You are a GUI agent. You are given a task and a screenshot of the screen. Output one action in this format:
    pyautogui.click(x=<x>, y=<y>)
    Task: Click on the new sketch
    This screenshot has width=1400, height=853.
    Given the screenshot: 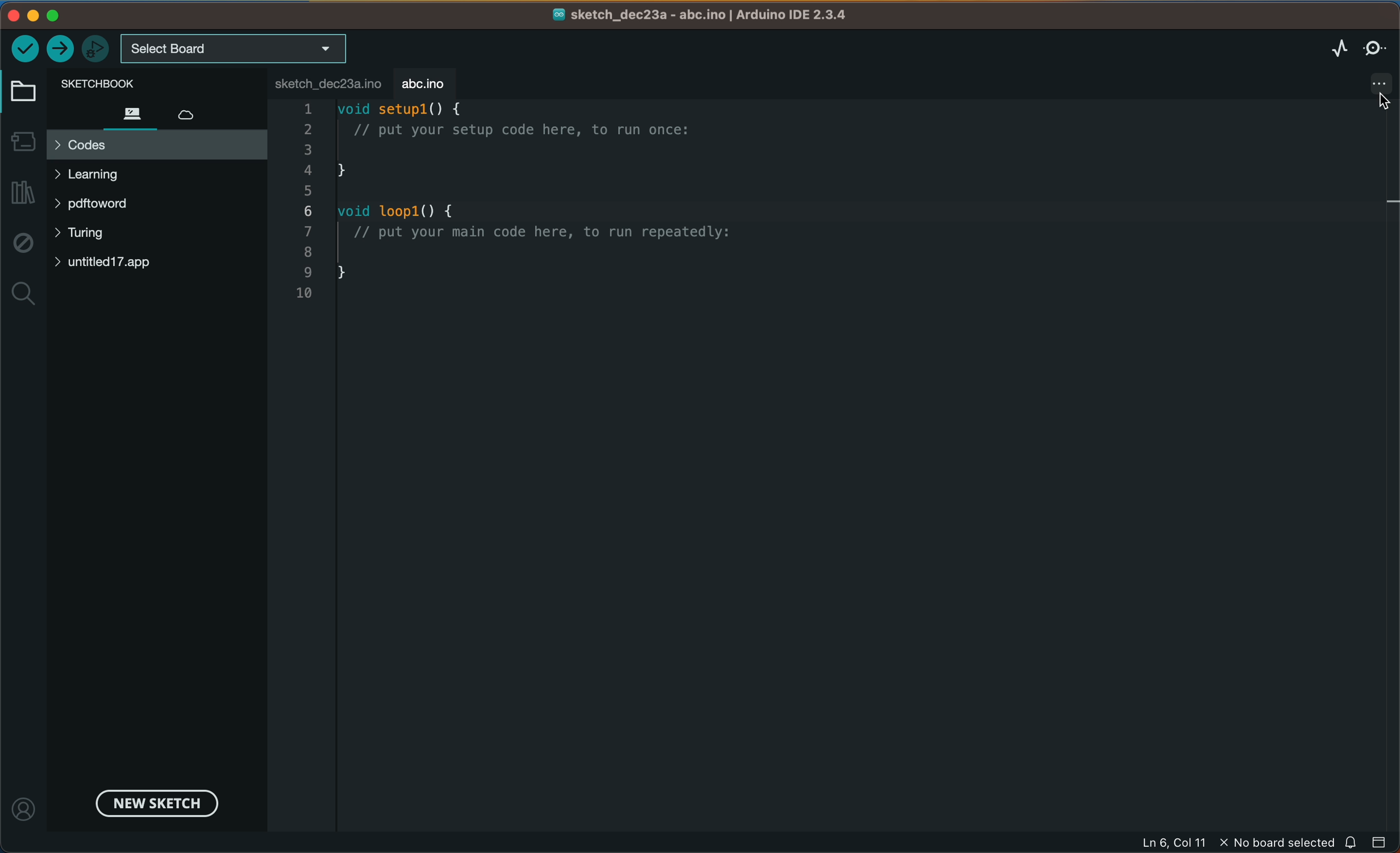 What is the action you would take?
    pyautogui.click(x=160, y=804)
    